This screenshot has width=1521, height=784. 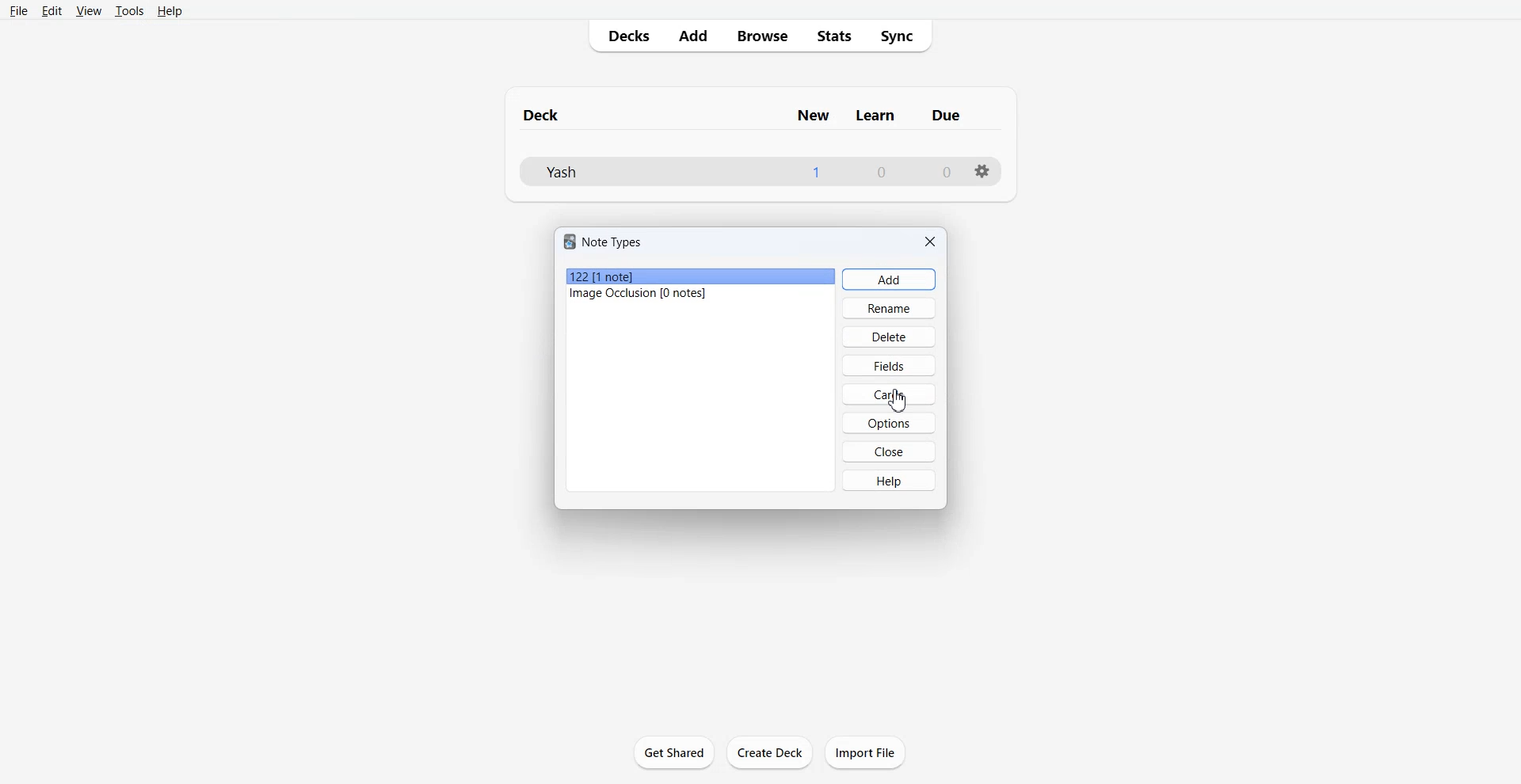 I want to click on Browser, so click(x=761, y=36).